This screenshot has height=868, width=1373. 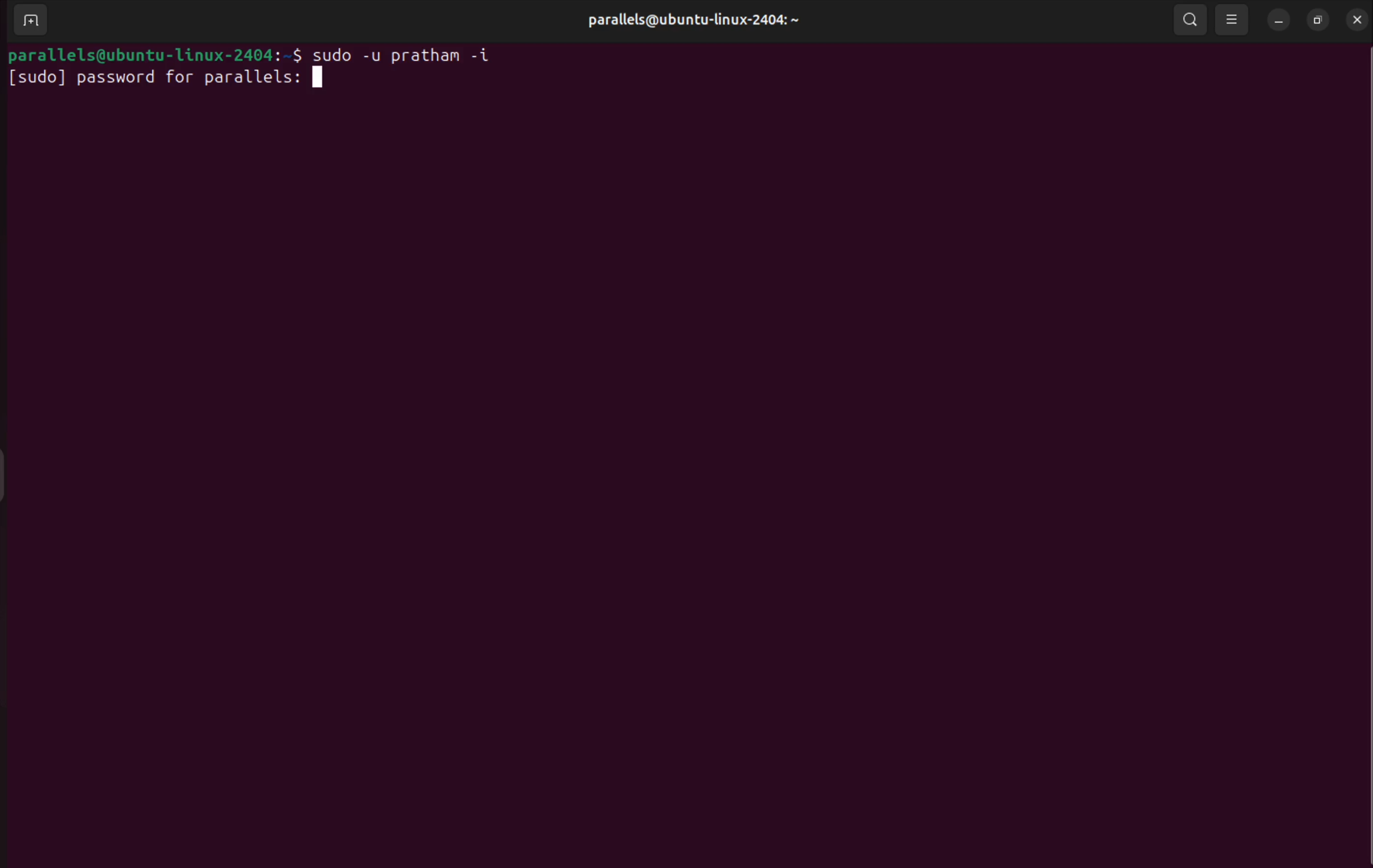 What do you see at coordinates (321, 78) in the screenshot?
I see `cursor` at bounding box center [321, 78].